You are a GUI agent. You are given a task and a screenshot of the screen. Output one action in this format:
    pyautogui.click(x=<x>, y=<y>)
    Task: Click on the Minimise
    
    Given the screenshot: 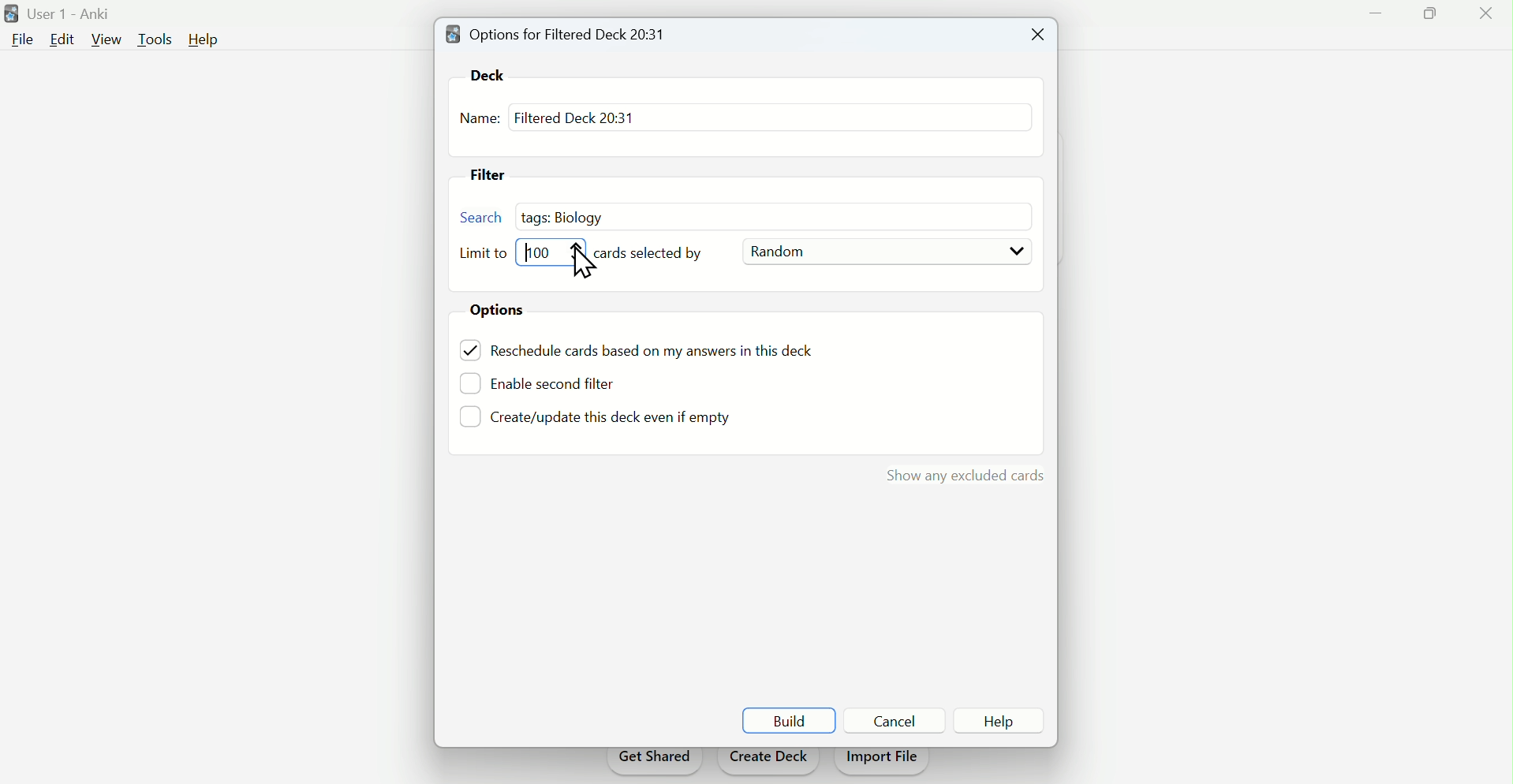 What is the action you would take?
    pyautogui.click(x=1371, y=22)
    